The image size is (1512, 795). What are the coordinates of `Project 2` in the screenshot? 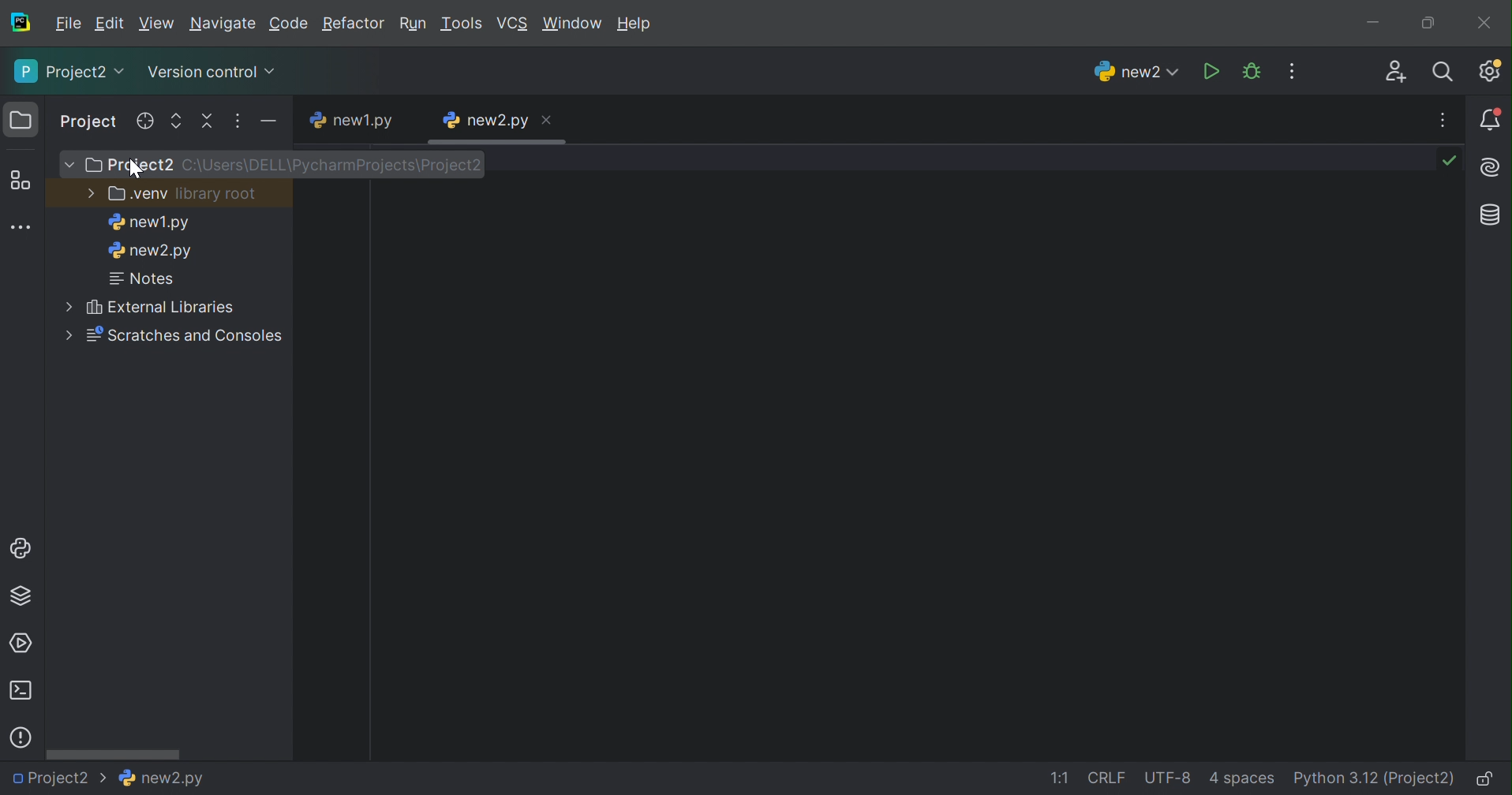 It's located at (132, 166).